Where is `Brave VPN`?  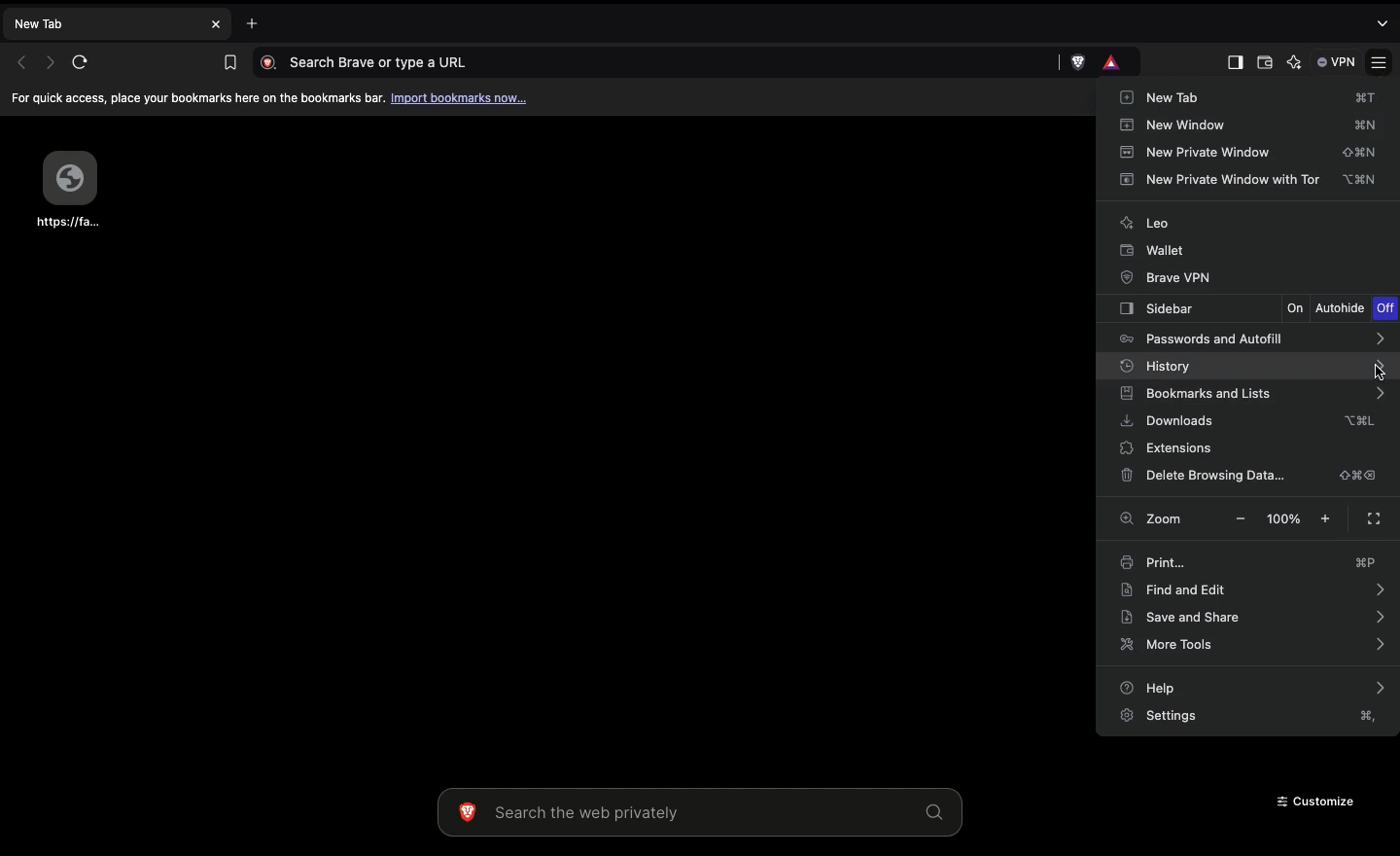
Brave VPN is located at coordinates (1161, 277).